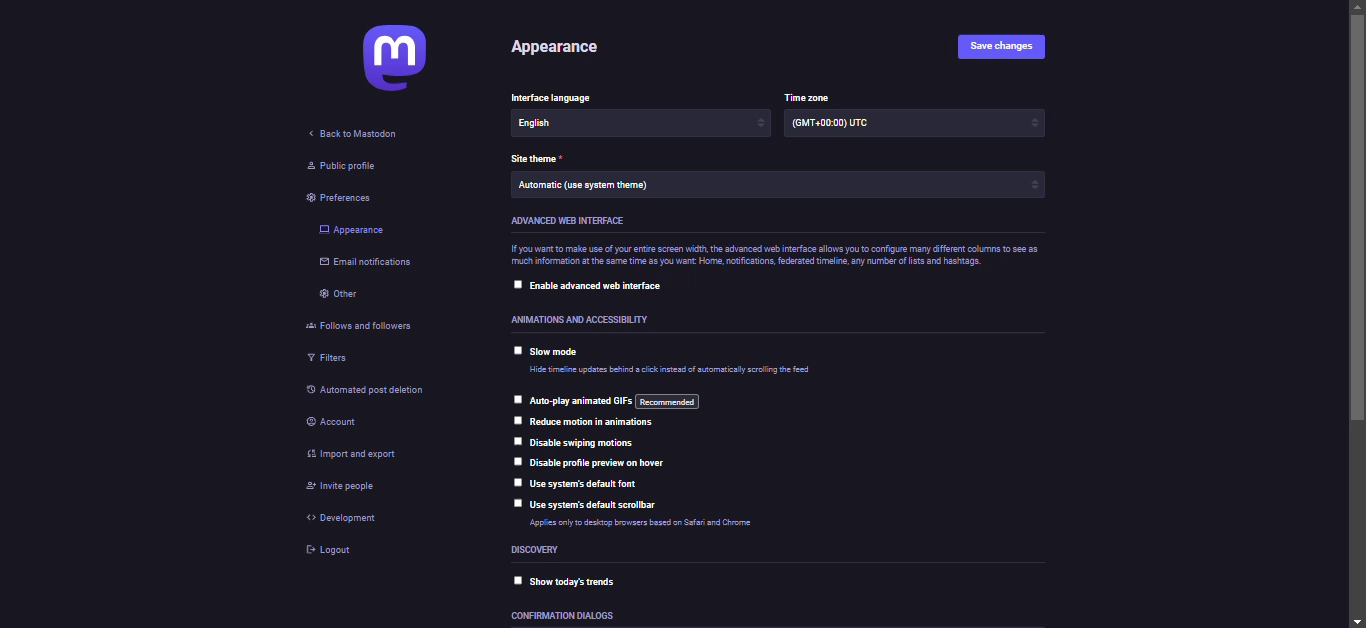 This screenshot has height=628, width=1366. What do you see at coordinates (369, 263) in the screenshot?
I see `email notifications` at bounding box center [369, 263].